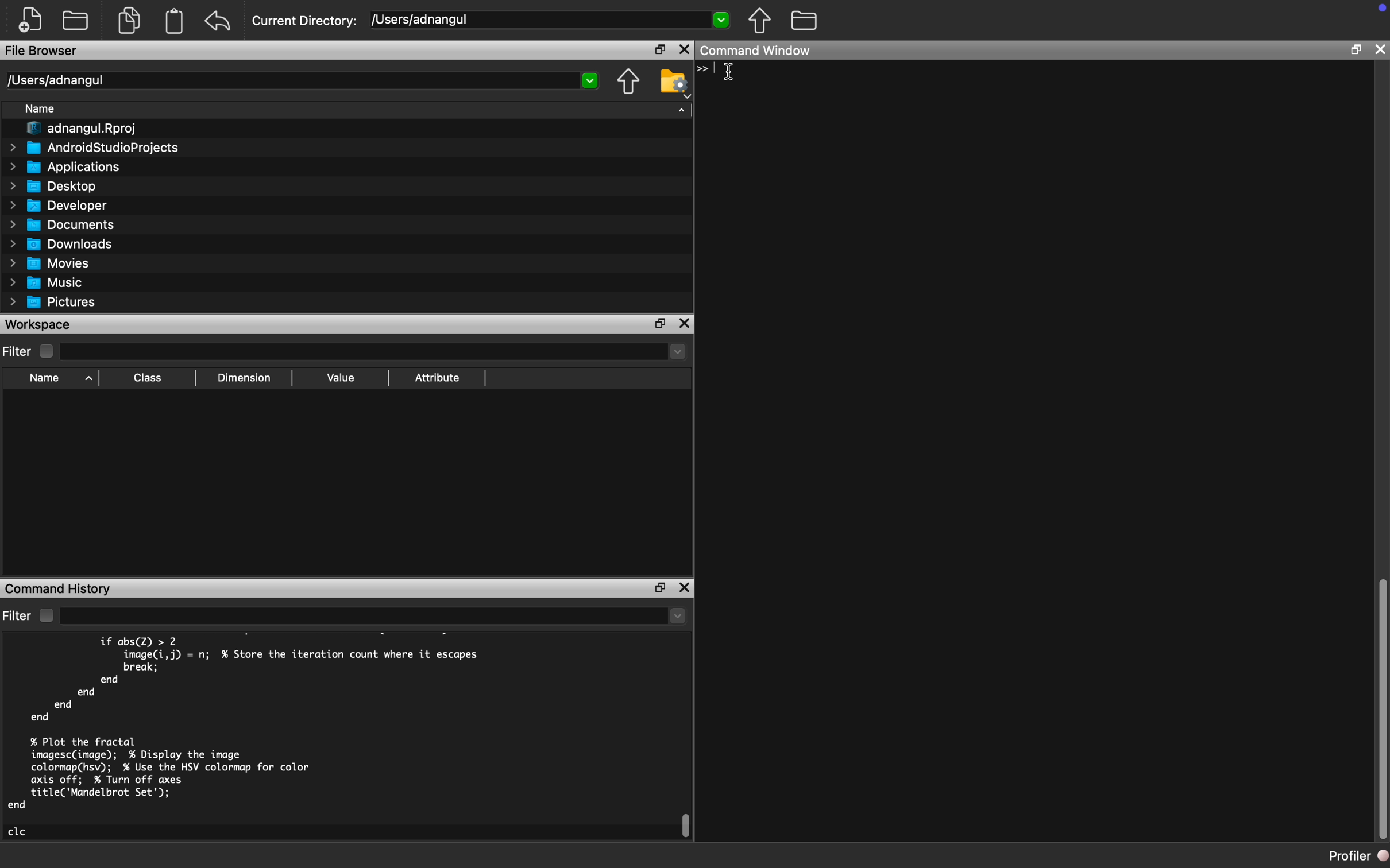 This screenshot has width=1390, height=868. I want to click on Close, so click(685, 49).